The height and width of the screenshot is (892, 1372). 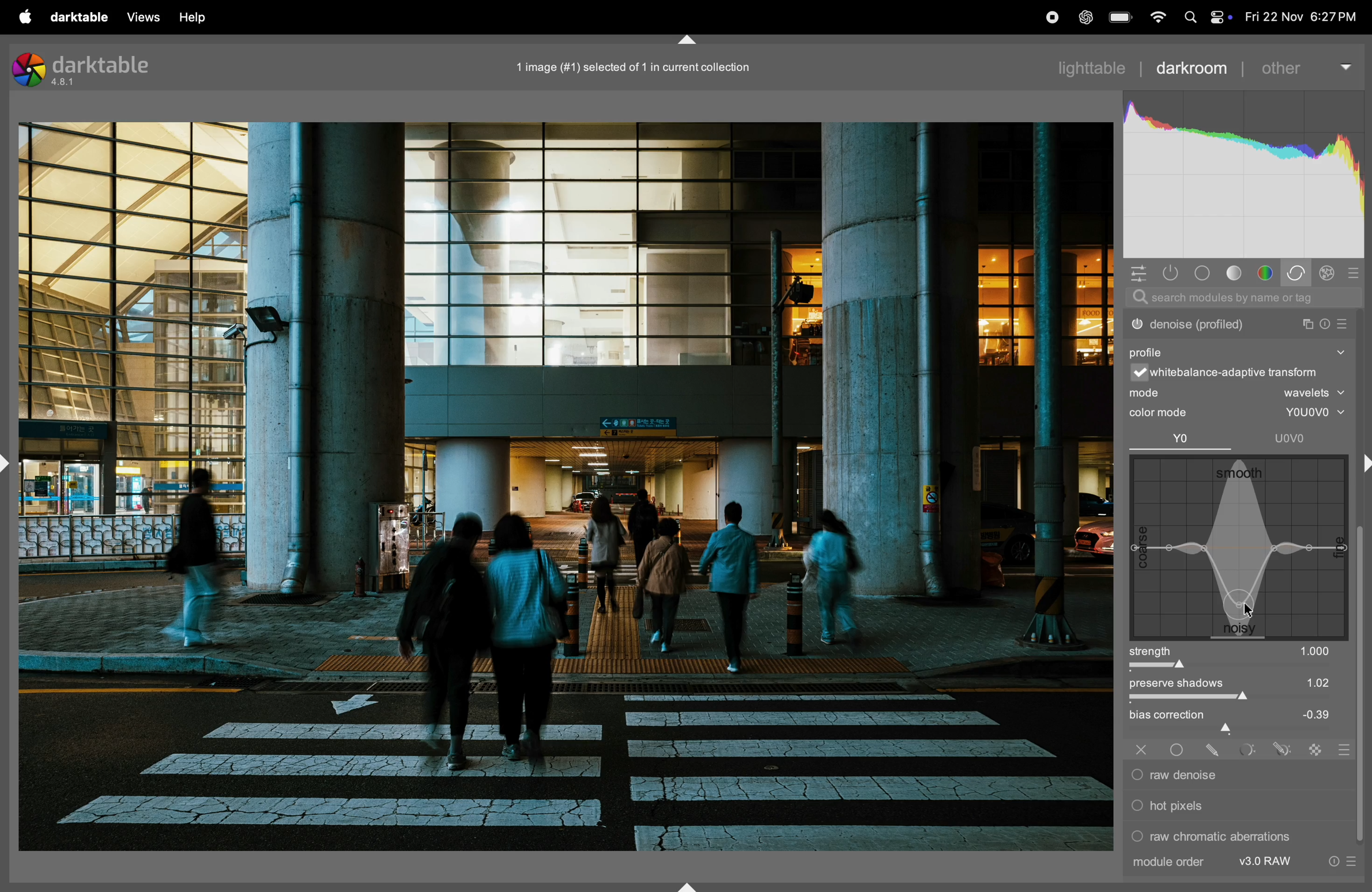 I want to click on tone, so click(x=1204, y=273).